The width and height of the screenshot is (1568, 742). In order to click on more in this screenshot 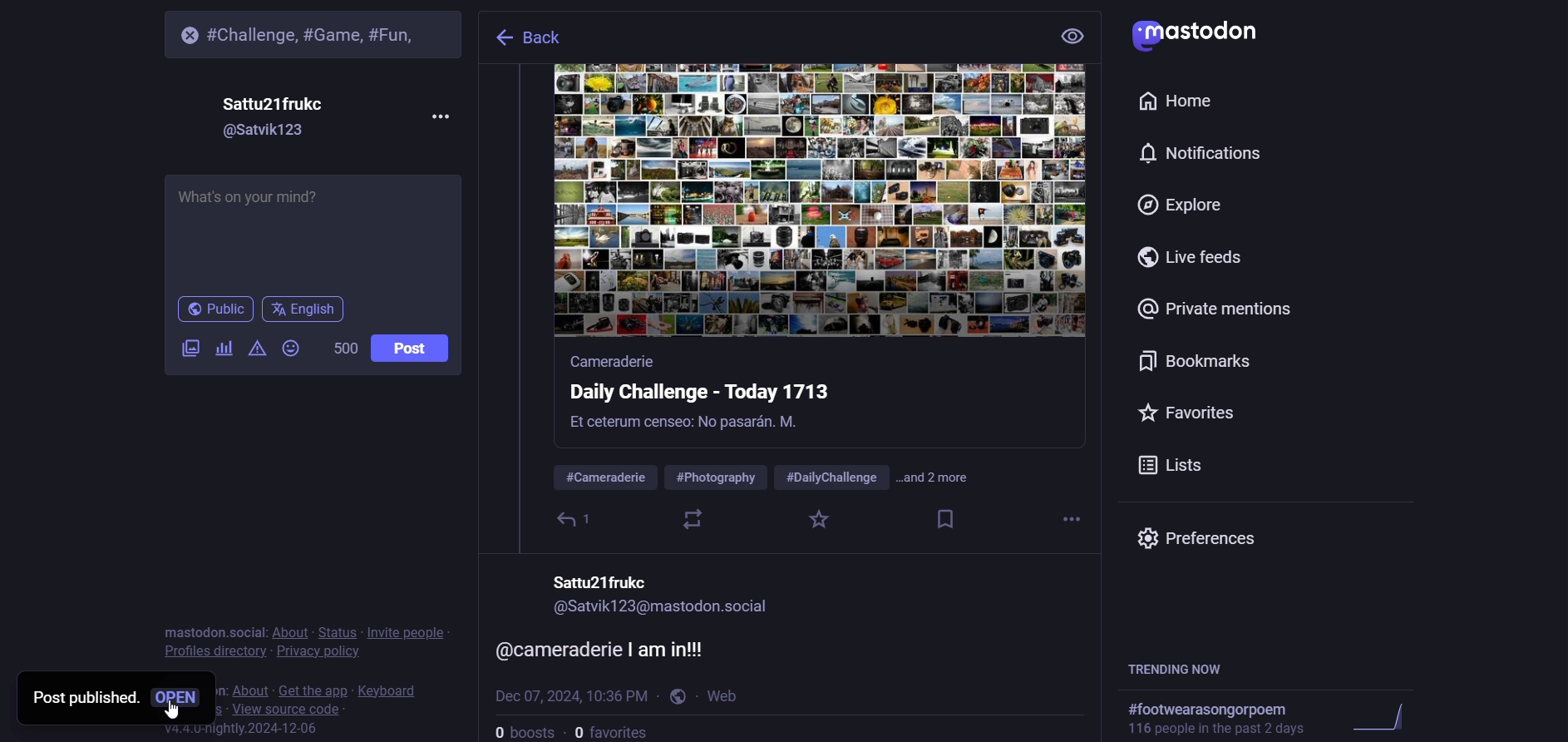, I will do `click(437, 116)`.